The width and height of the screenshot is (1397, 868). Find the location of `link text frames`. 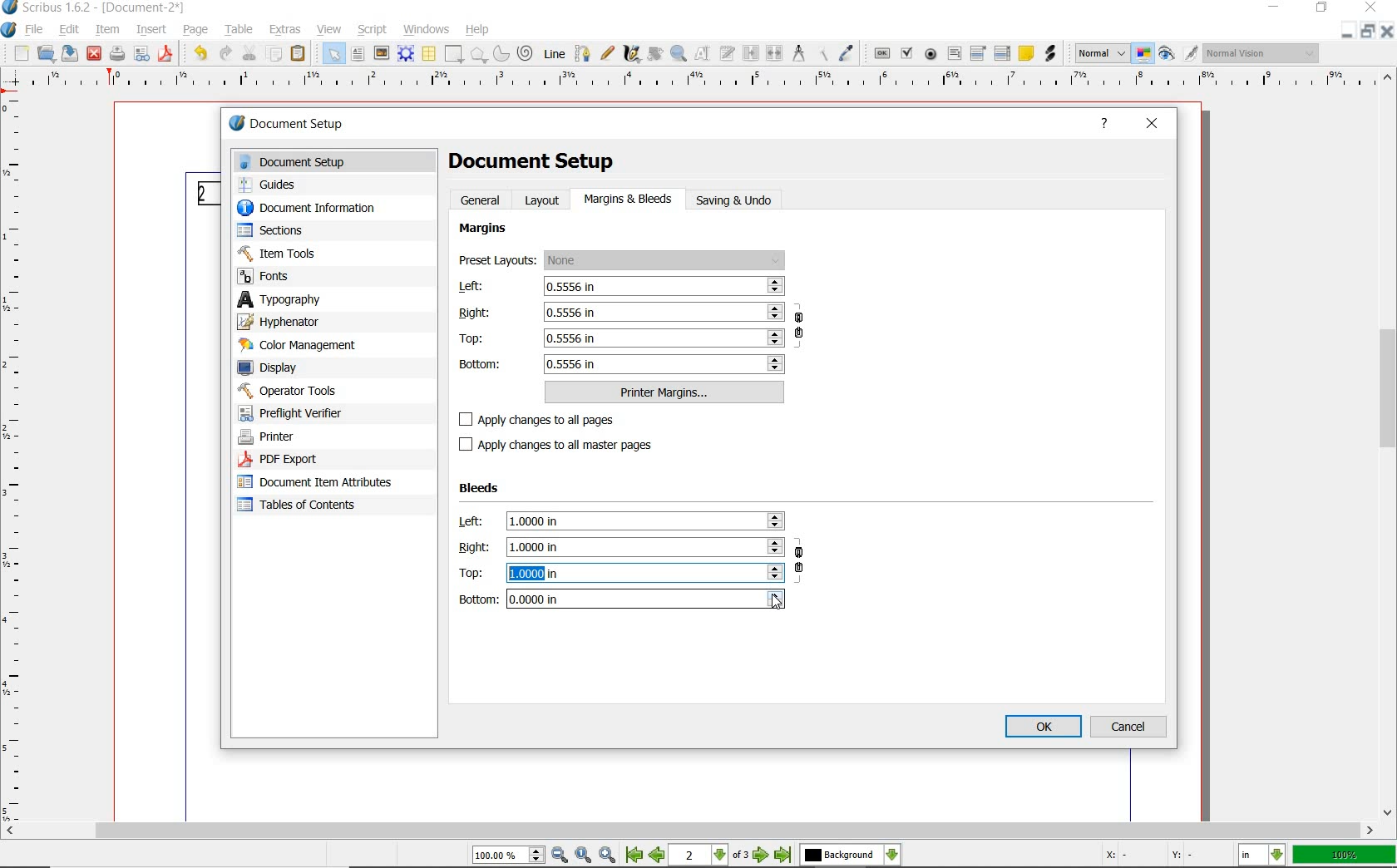

link text frames is located at coordinates (751, 53).